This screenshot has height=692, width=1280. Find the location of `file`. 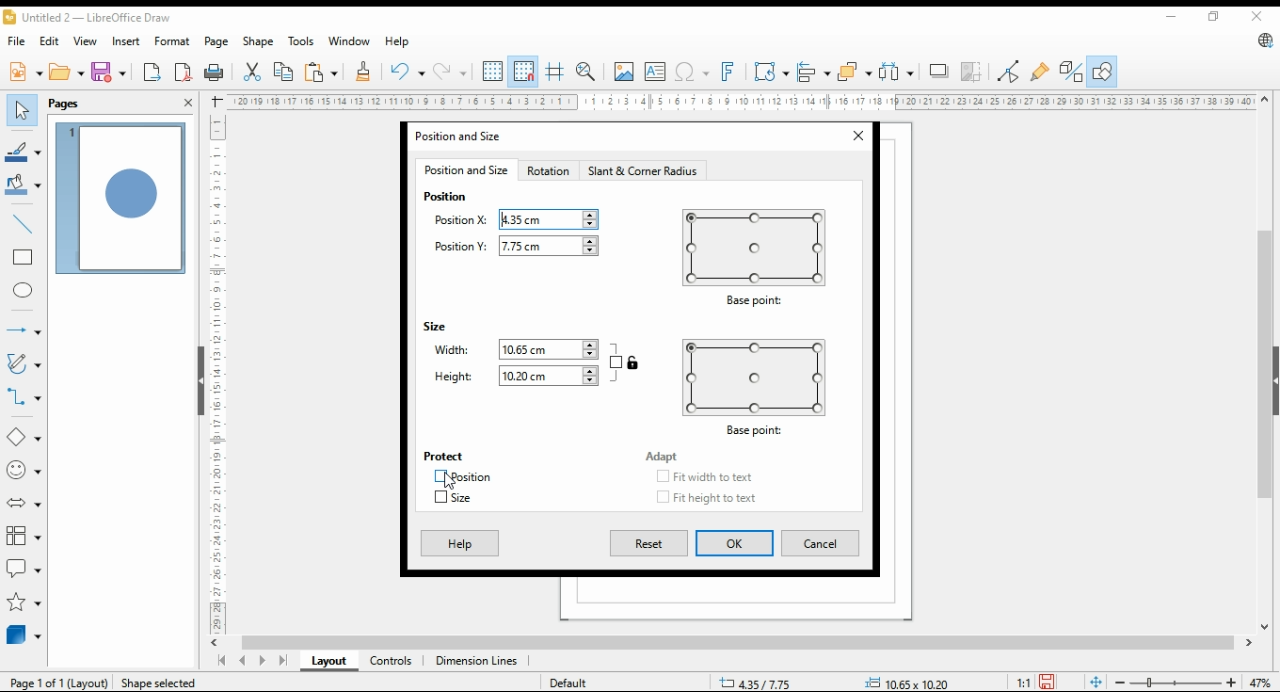

file is located at coordinates (17, 42).